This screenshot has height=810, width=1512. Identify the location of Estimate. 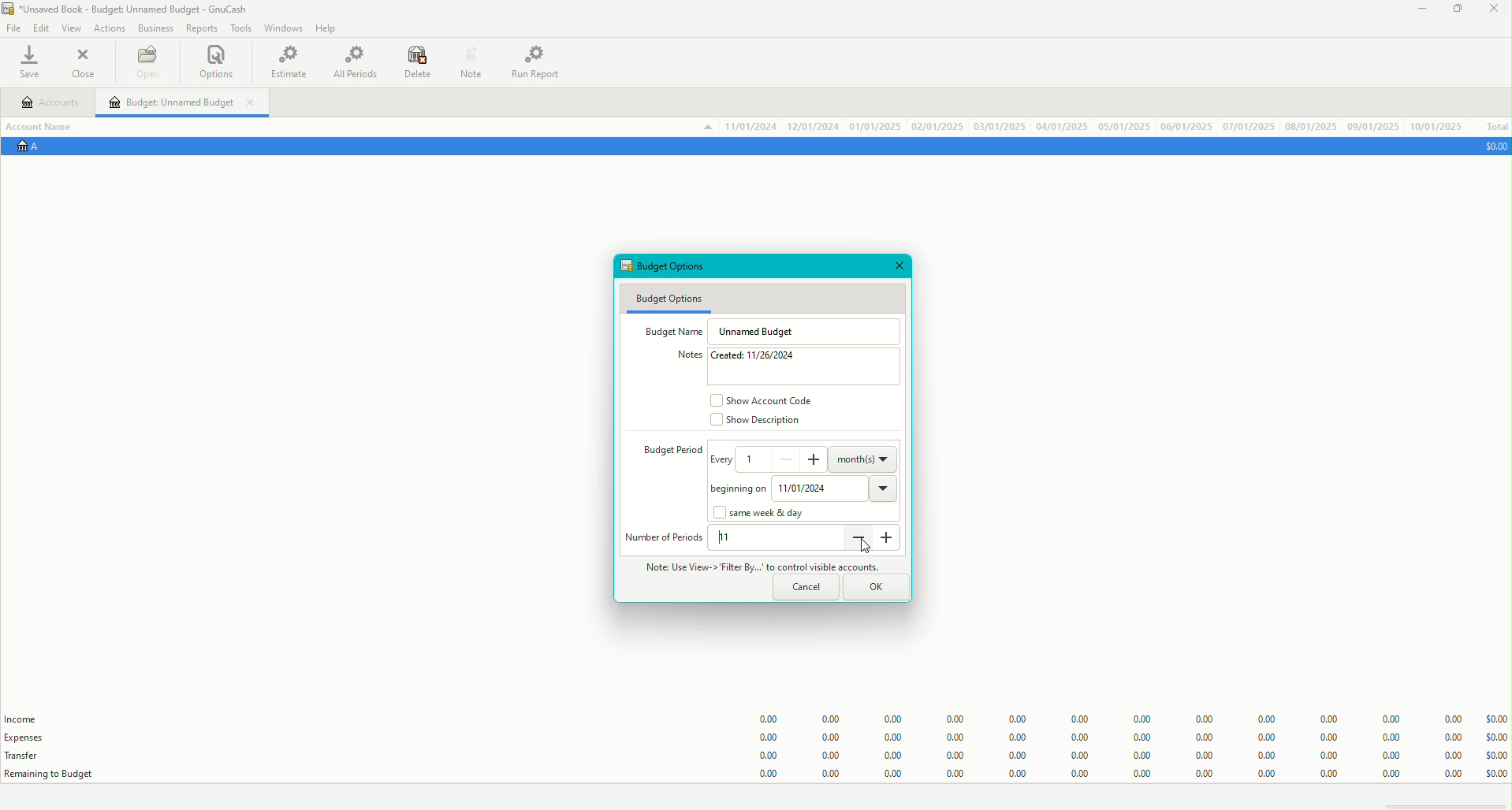
(290, 61).